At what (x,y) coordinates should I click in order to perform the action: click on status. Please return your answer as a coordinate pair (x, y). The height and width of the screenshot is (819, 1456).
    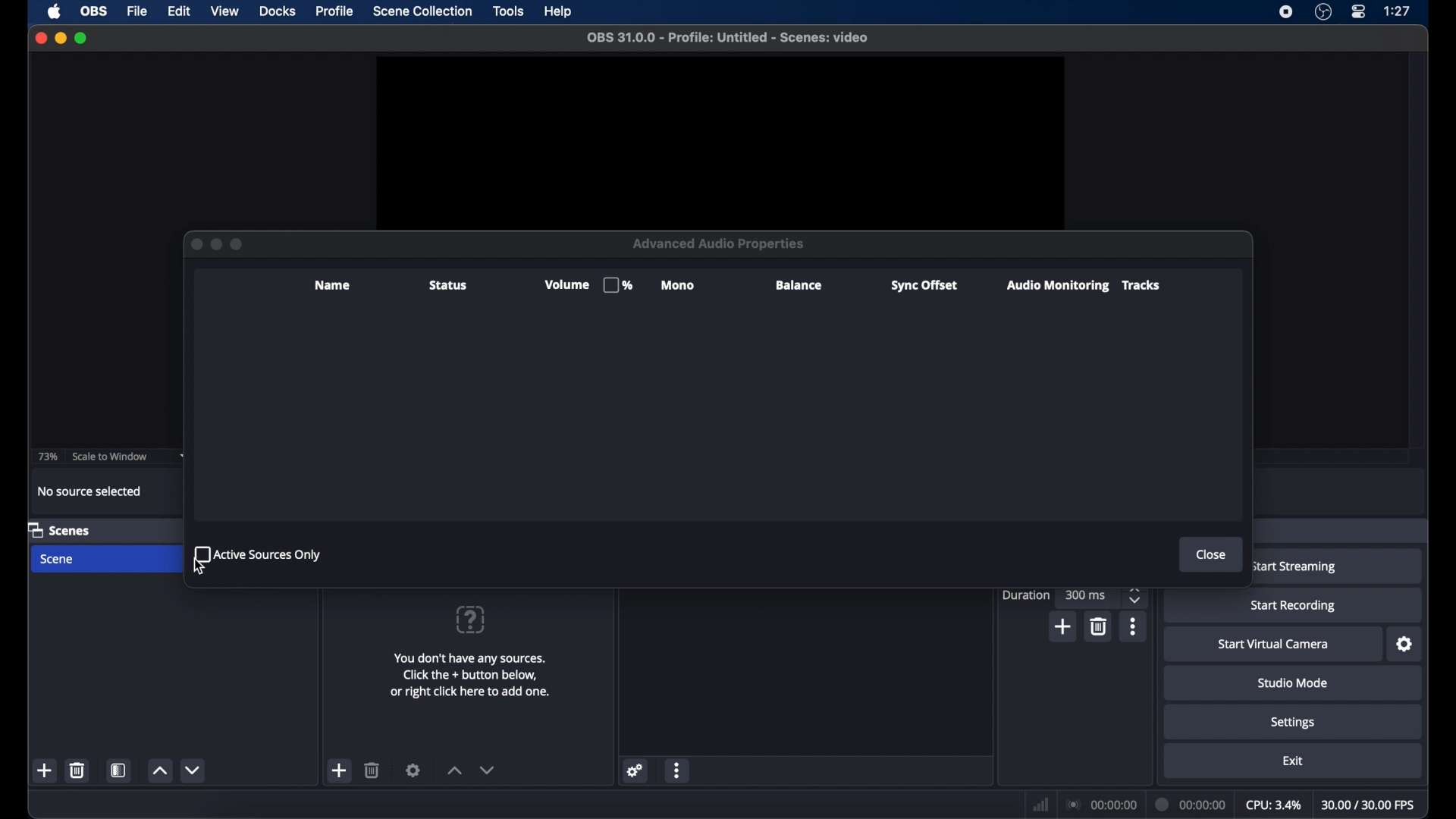
    Looking at the image, I should click on (447, 286).